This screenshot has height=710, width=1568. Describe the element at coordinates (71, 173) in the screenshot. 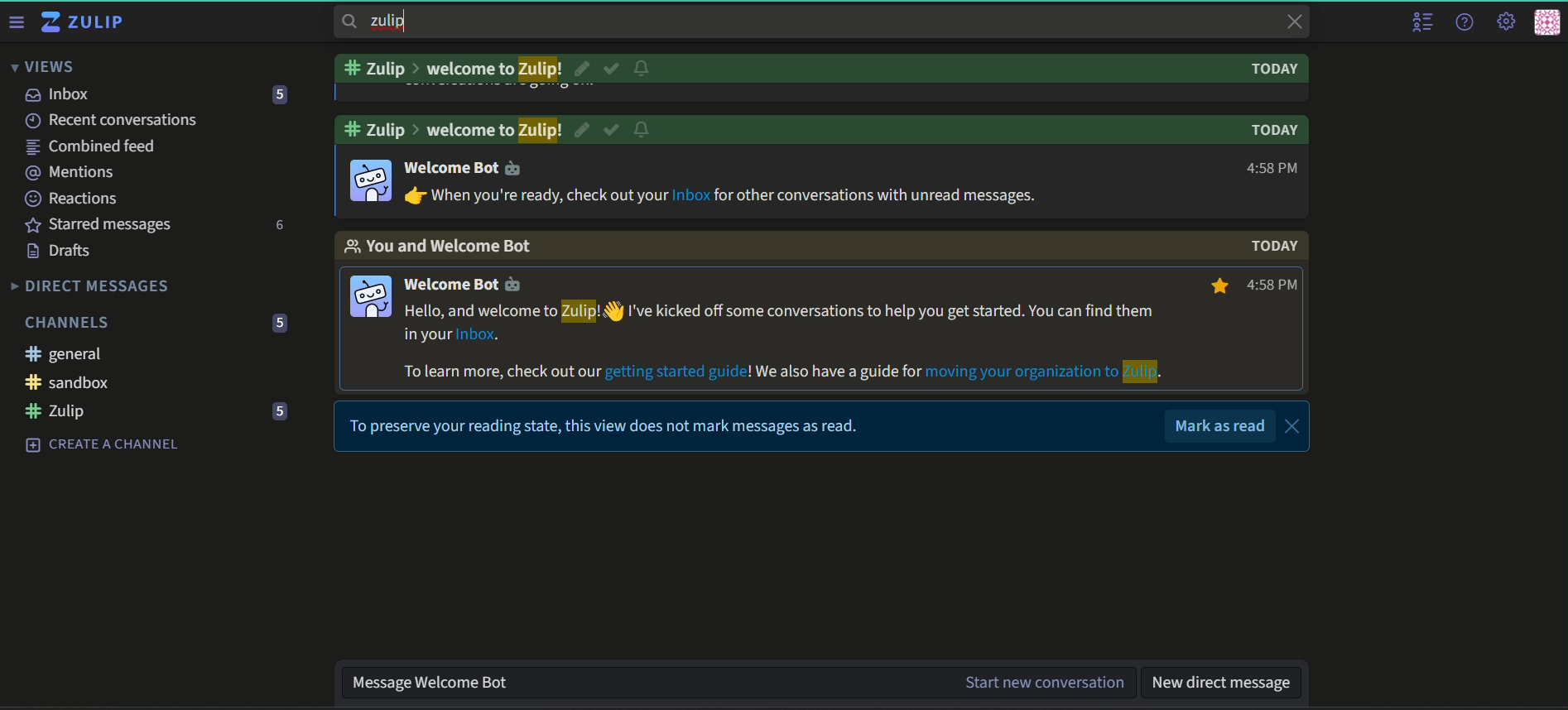

I see `mentions` at that location.